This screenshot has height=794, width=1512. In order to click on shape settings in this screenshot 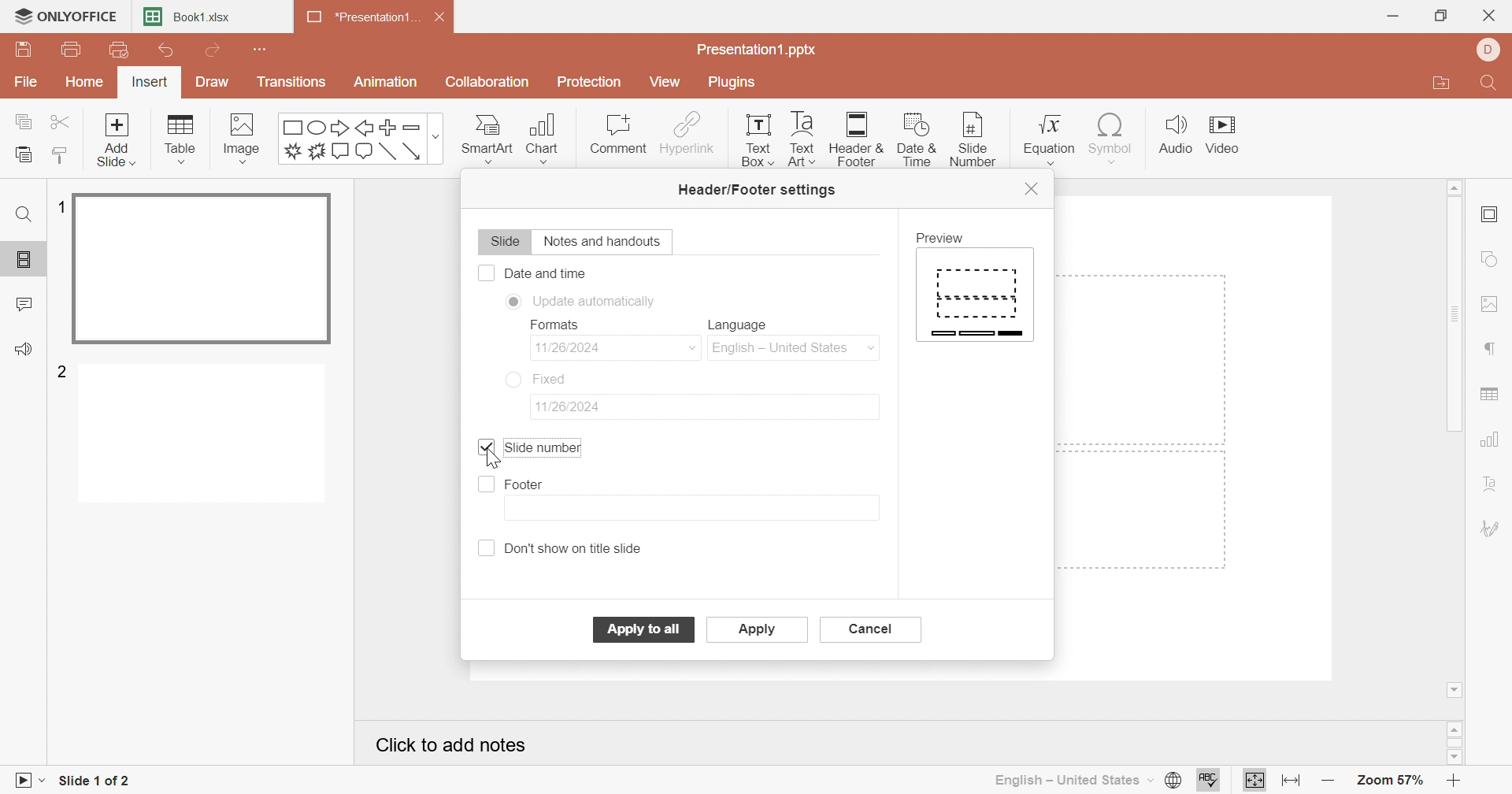, I will do `click(1496, 261)`.